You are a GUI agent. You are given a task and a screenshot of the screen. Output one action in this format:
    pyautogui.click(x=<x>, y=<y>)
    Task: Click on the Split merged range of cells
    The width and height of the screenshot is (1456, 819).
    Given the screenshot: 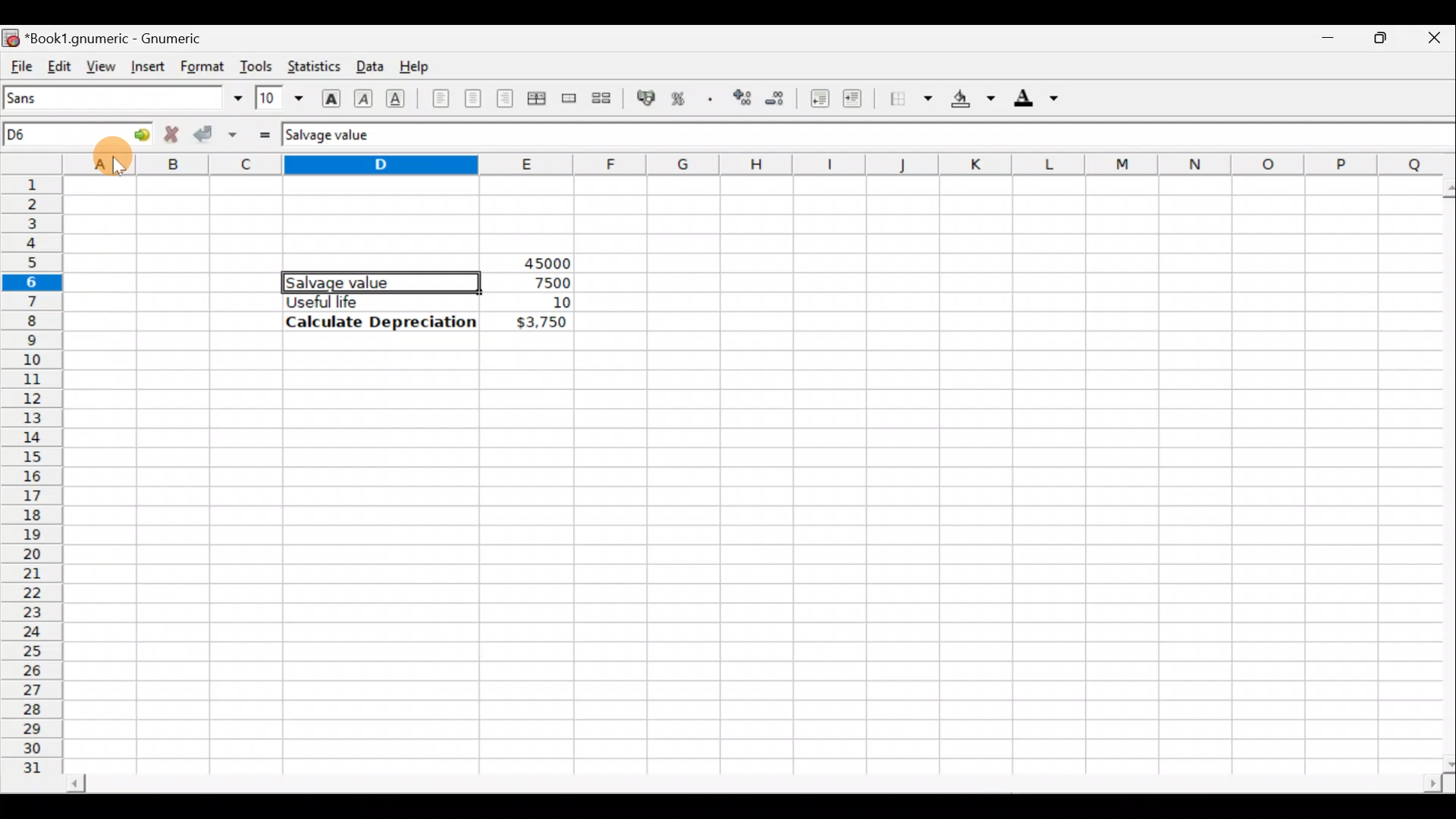 What is the action you would take?
    pyautogui.click(x=602, y=97)
    